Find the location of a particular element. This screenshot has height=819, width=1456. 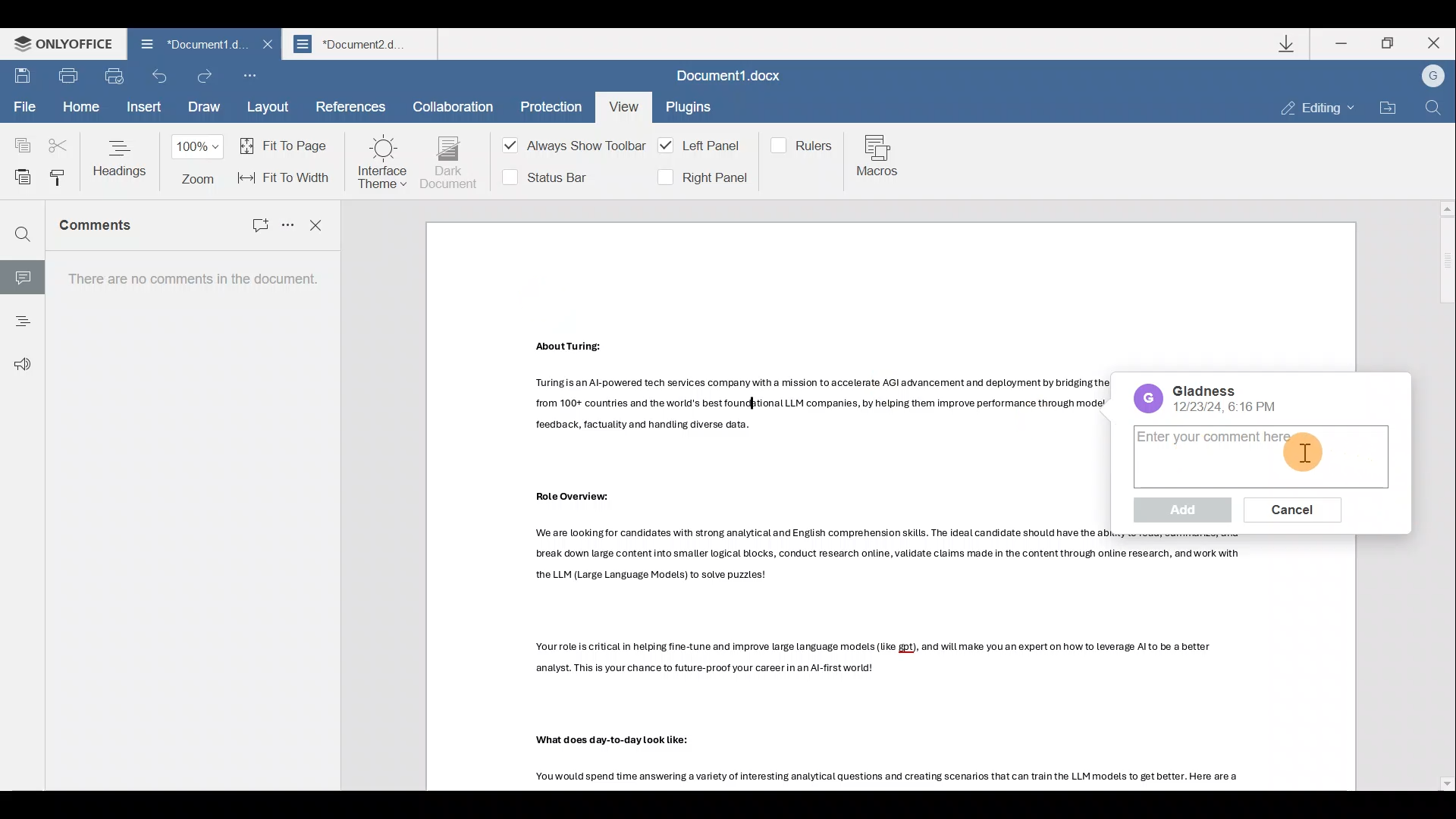

Open file location is located at coordinates (1386, 108).